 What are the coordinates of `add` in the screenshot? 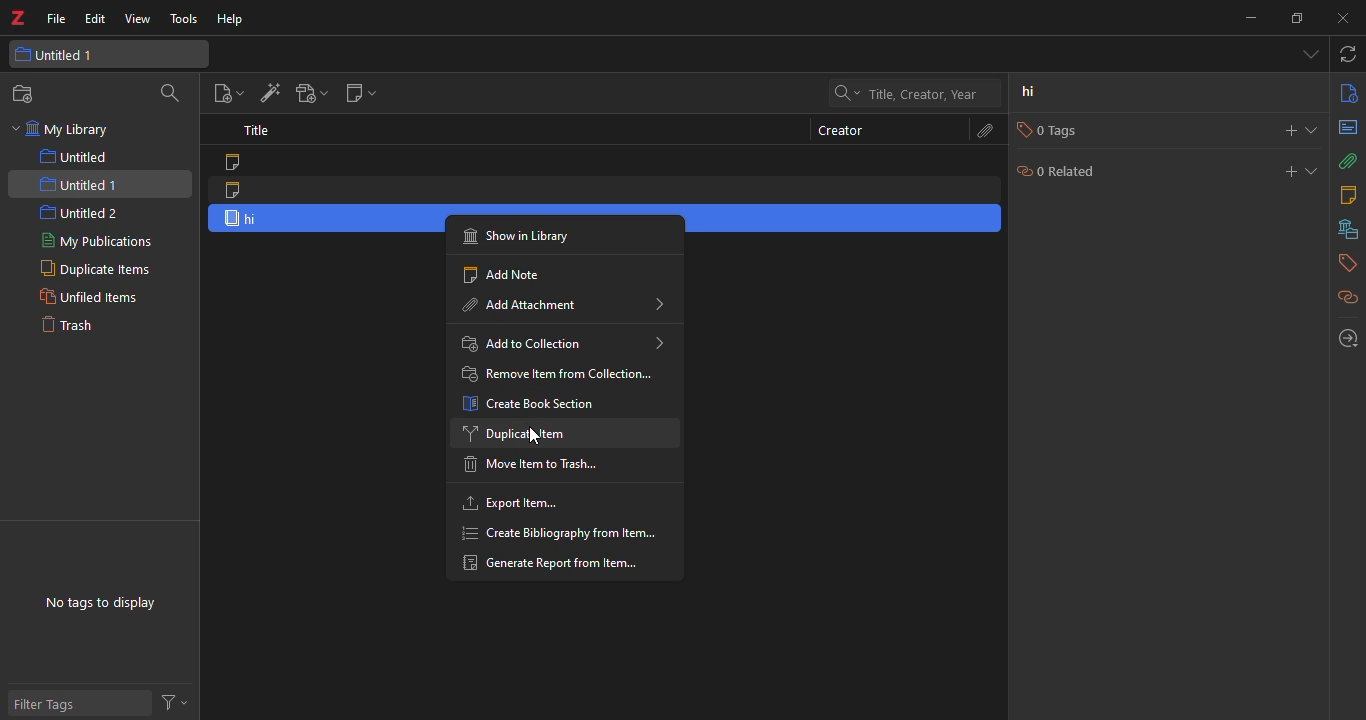 It's located at (1290, 171).